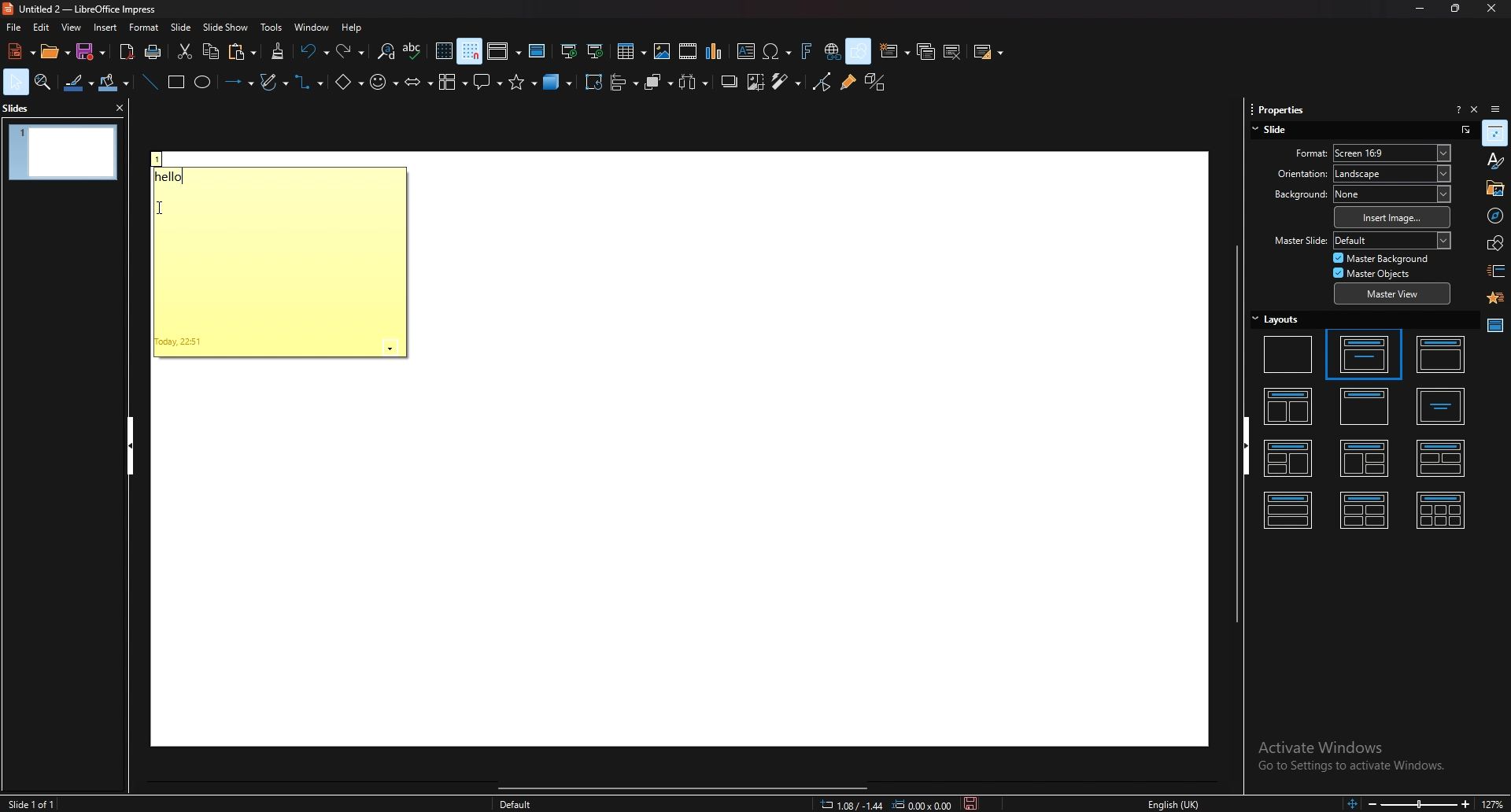 This screenshot has height=812, width=1511. Describe the element at coordinates (160, 158) in the screenshot. I see `comment box` at that location.